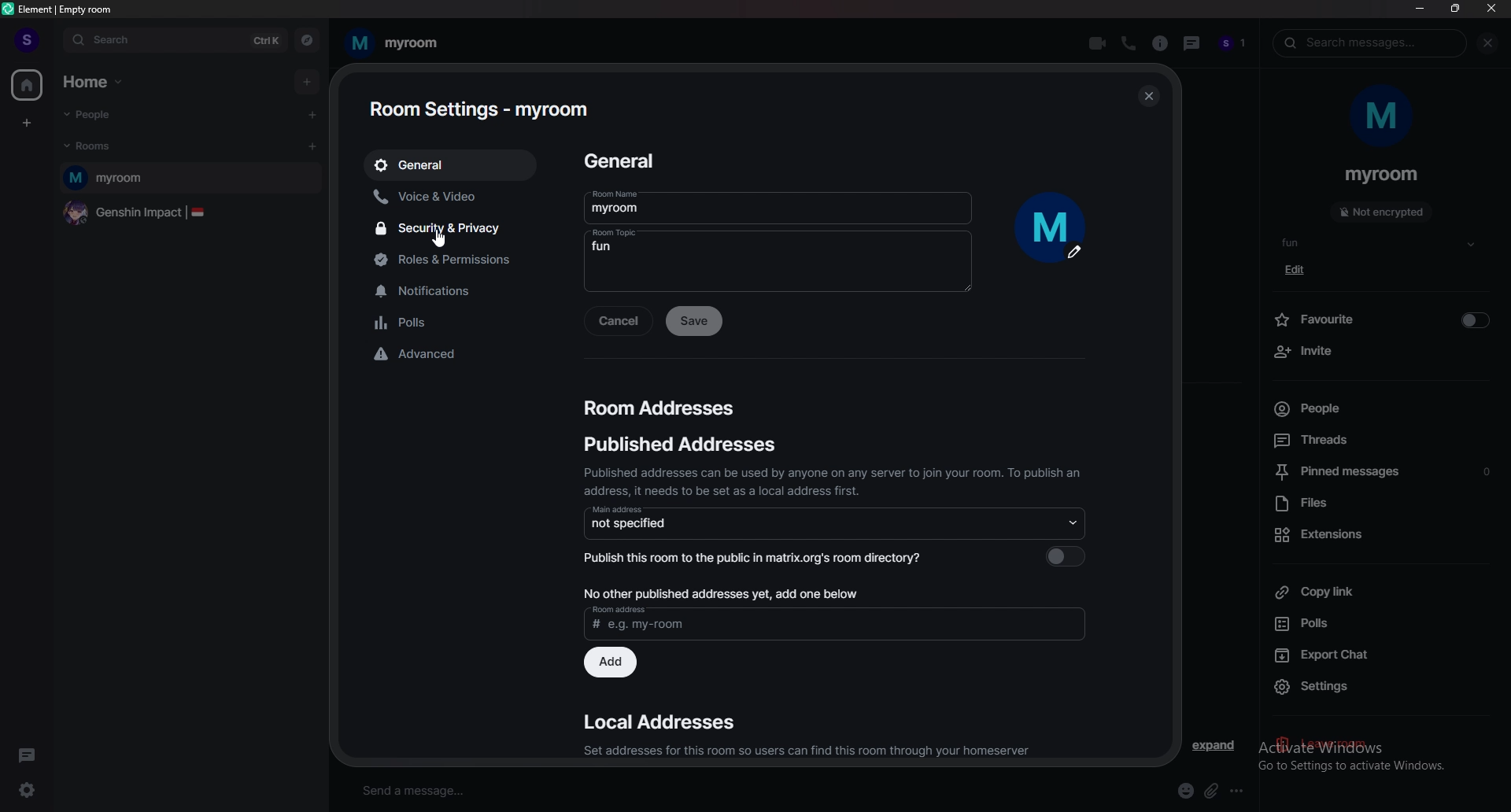 The height and width of the screenshot is (812, 1511). I want to click on No other published addresses yet, add one below, so click(722, 593).